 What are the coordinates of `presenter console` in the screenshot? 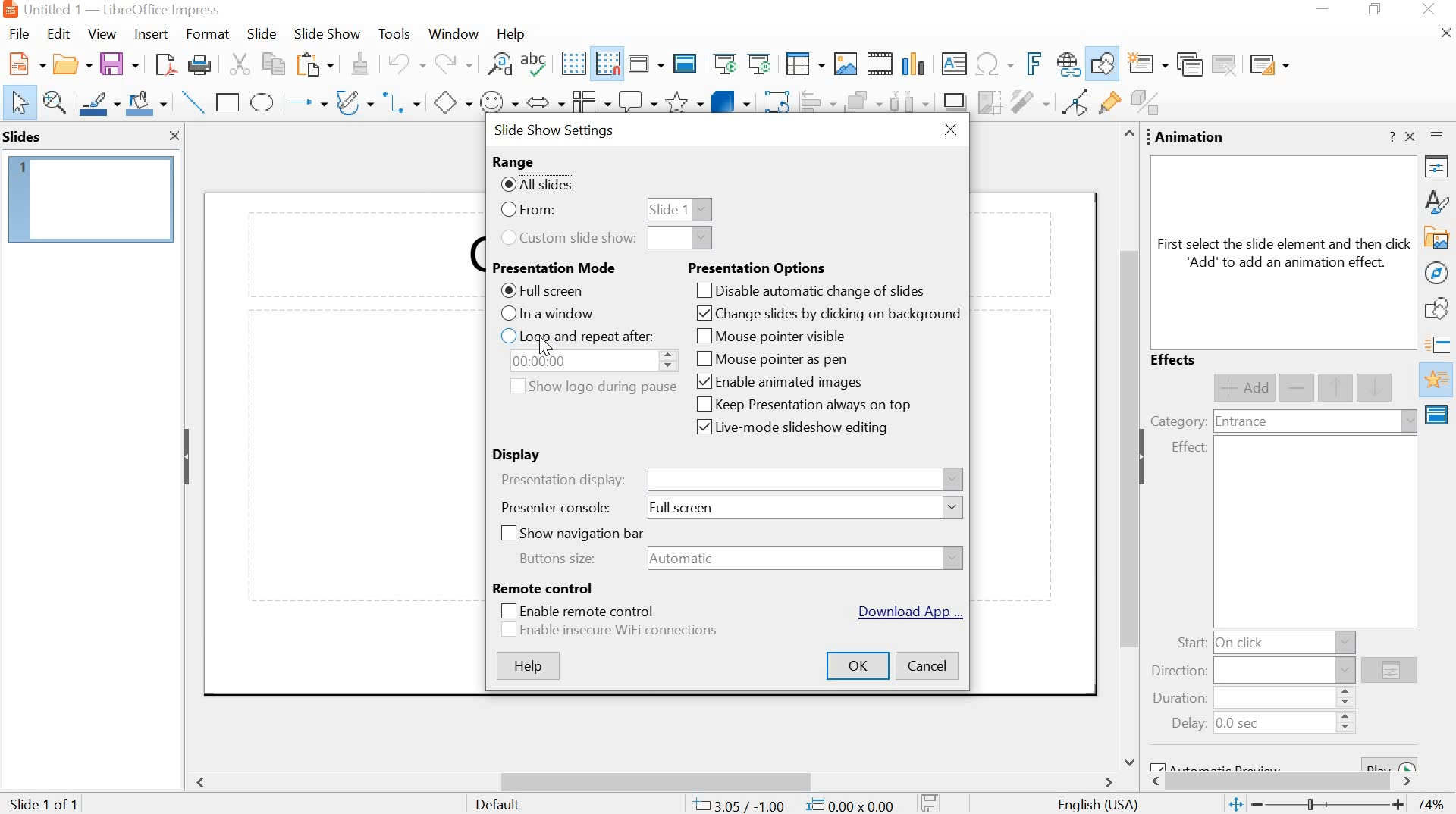 It's located at (557, 508).